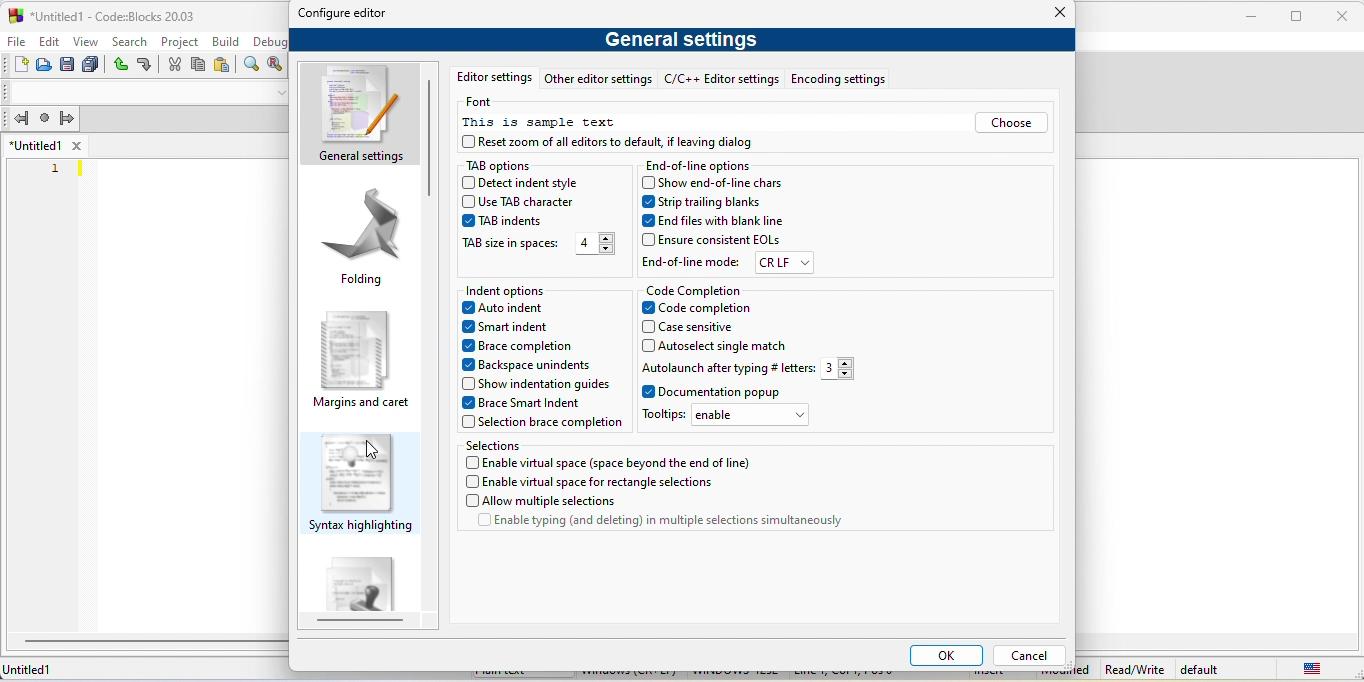 This screenshot has height=682, width=1364. What do you see at coordinates (498, 166) in the screenshot?
I see `tab option` at bounding box center [498, 166].